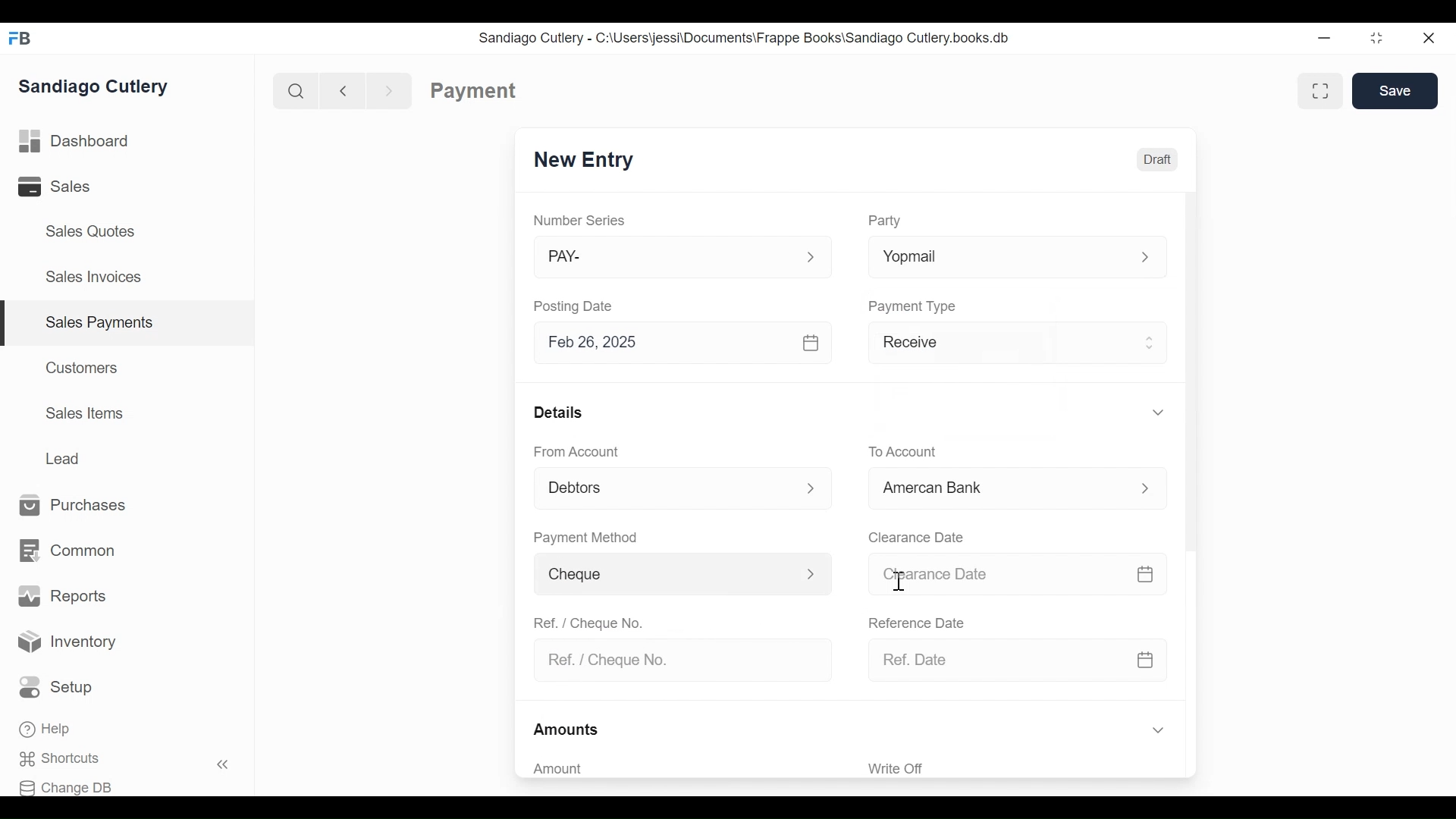  Describe the element at coordinates (1430, 38) in the screenshot. I see `Close ` at that location.